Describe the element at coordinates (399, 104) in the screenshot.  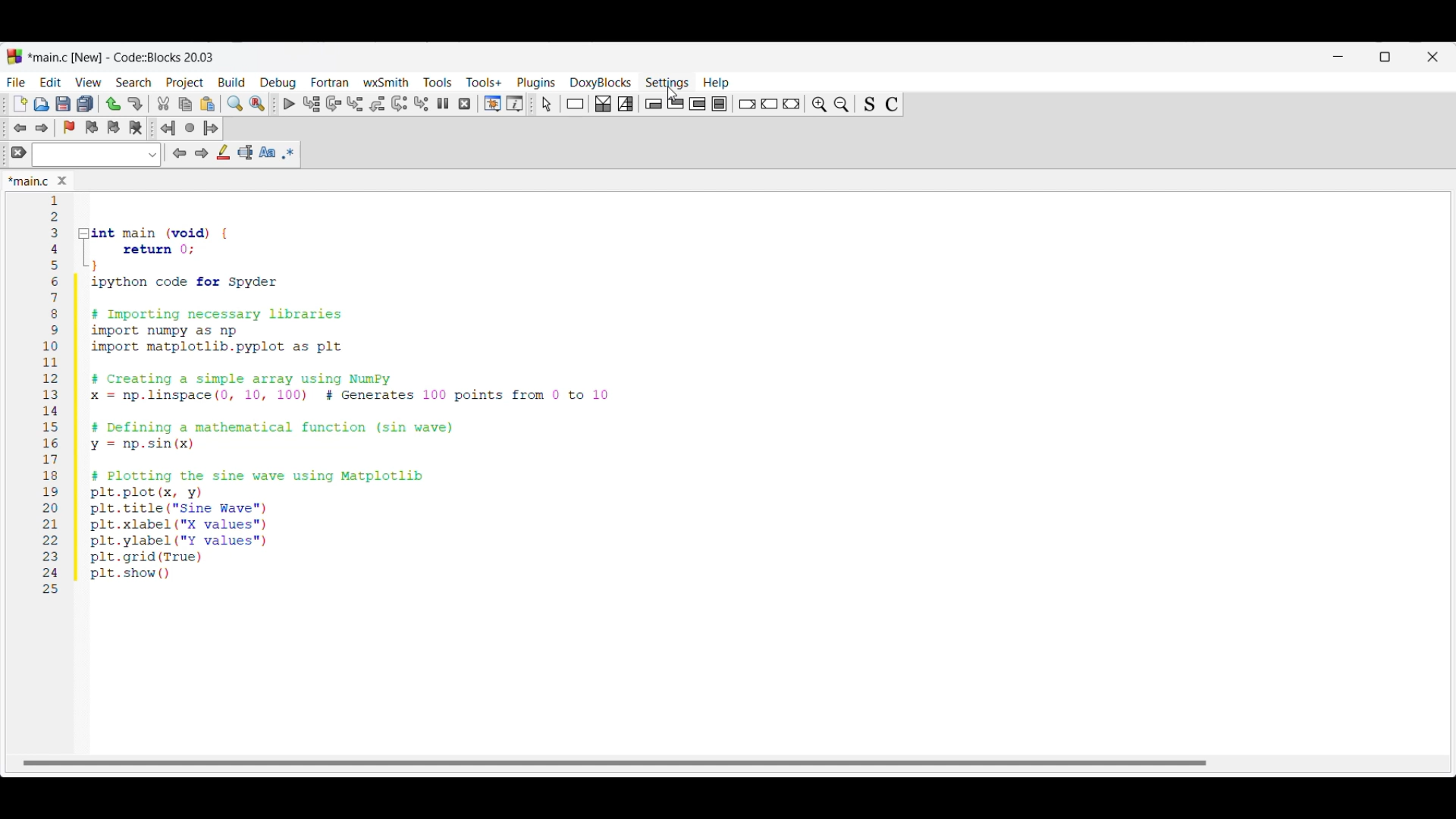
I see `Next instruction` at that location.